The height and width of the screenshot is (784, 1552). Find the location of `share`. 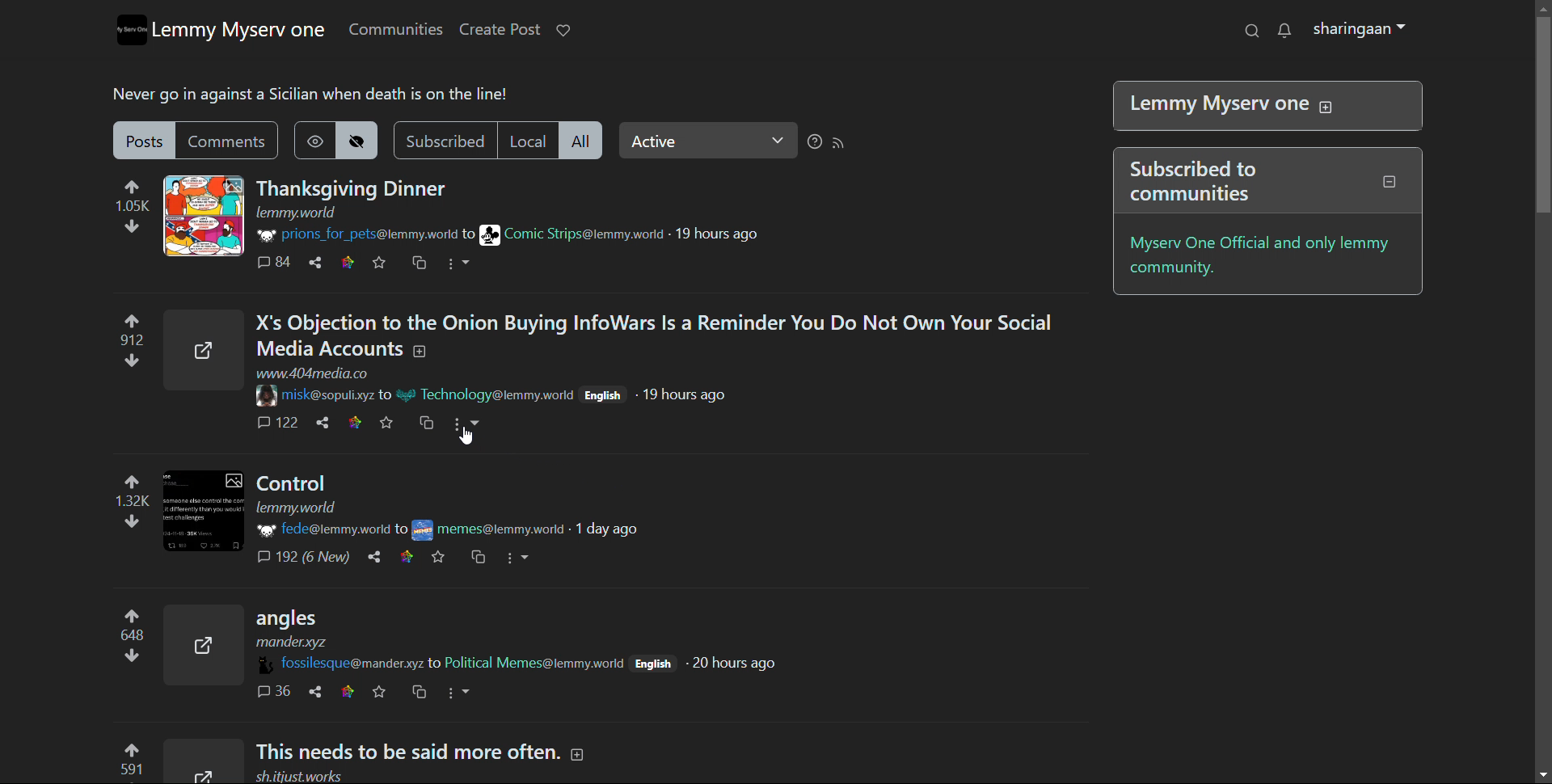

share is located at coordinates (373, 558).